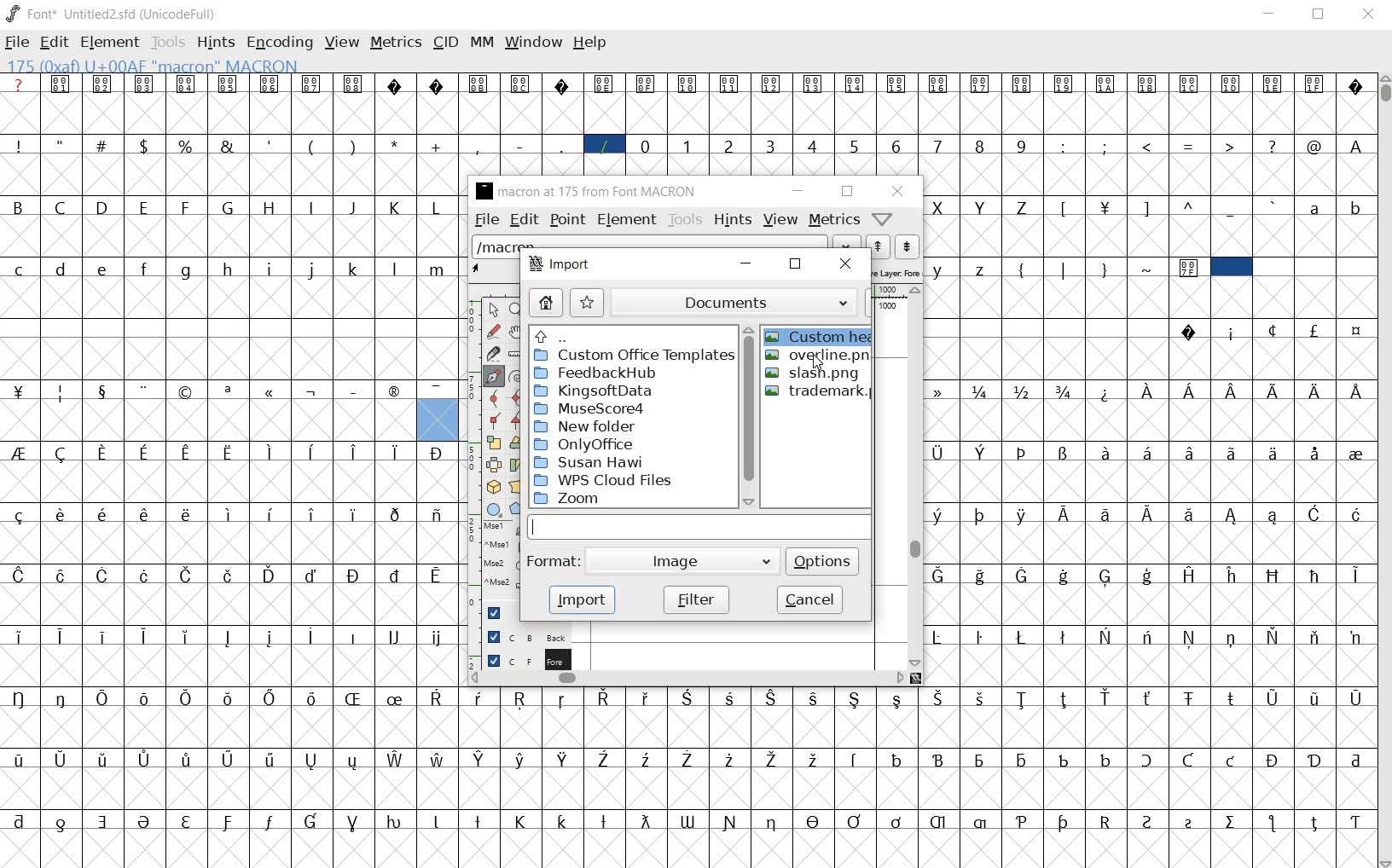 The image size is (1392, 868). I want to click on next word, so click(908, 246).